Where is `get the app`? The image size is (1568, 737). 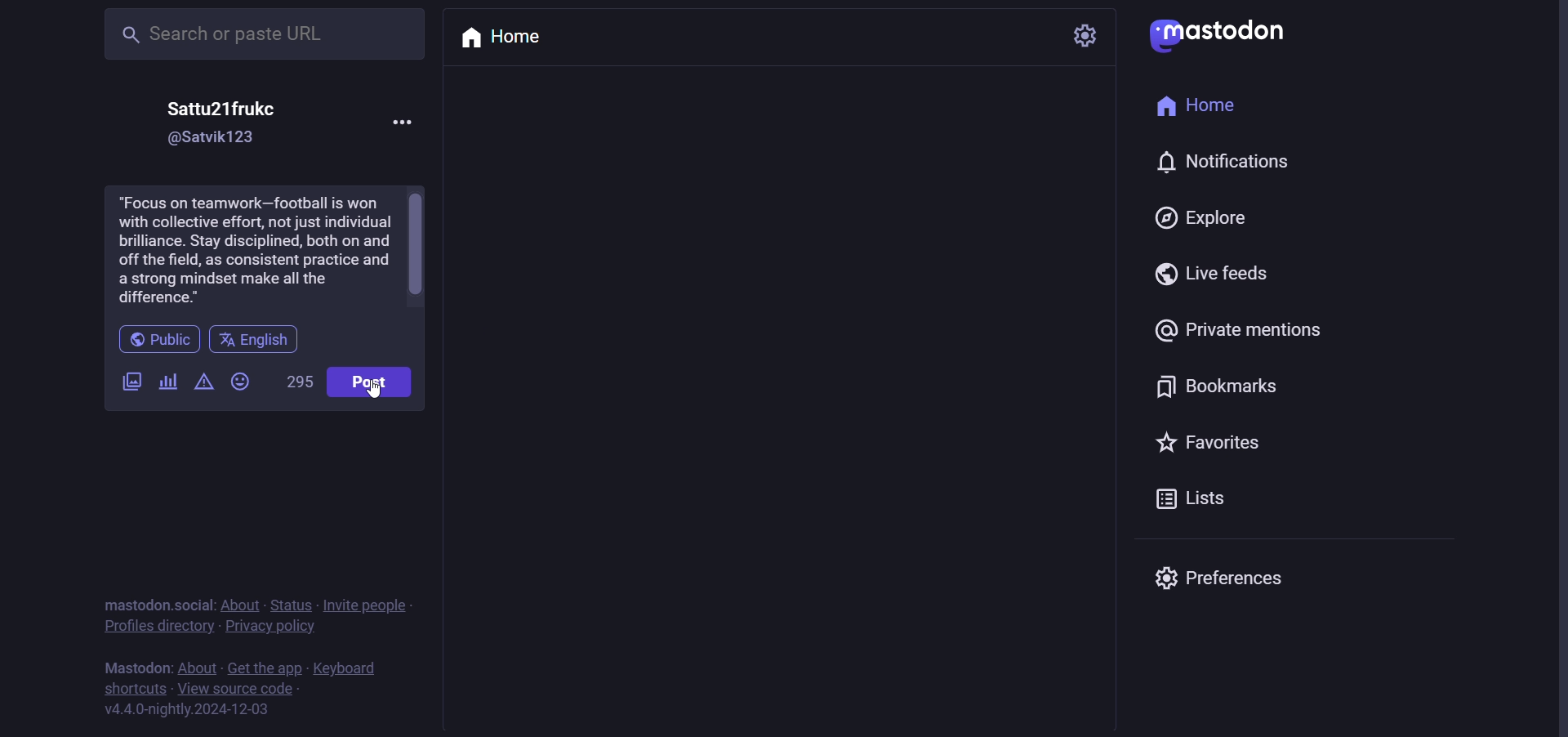
get the app is located at coordinates (261, 665).